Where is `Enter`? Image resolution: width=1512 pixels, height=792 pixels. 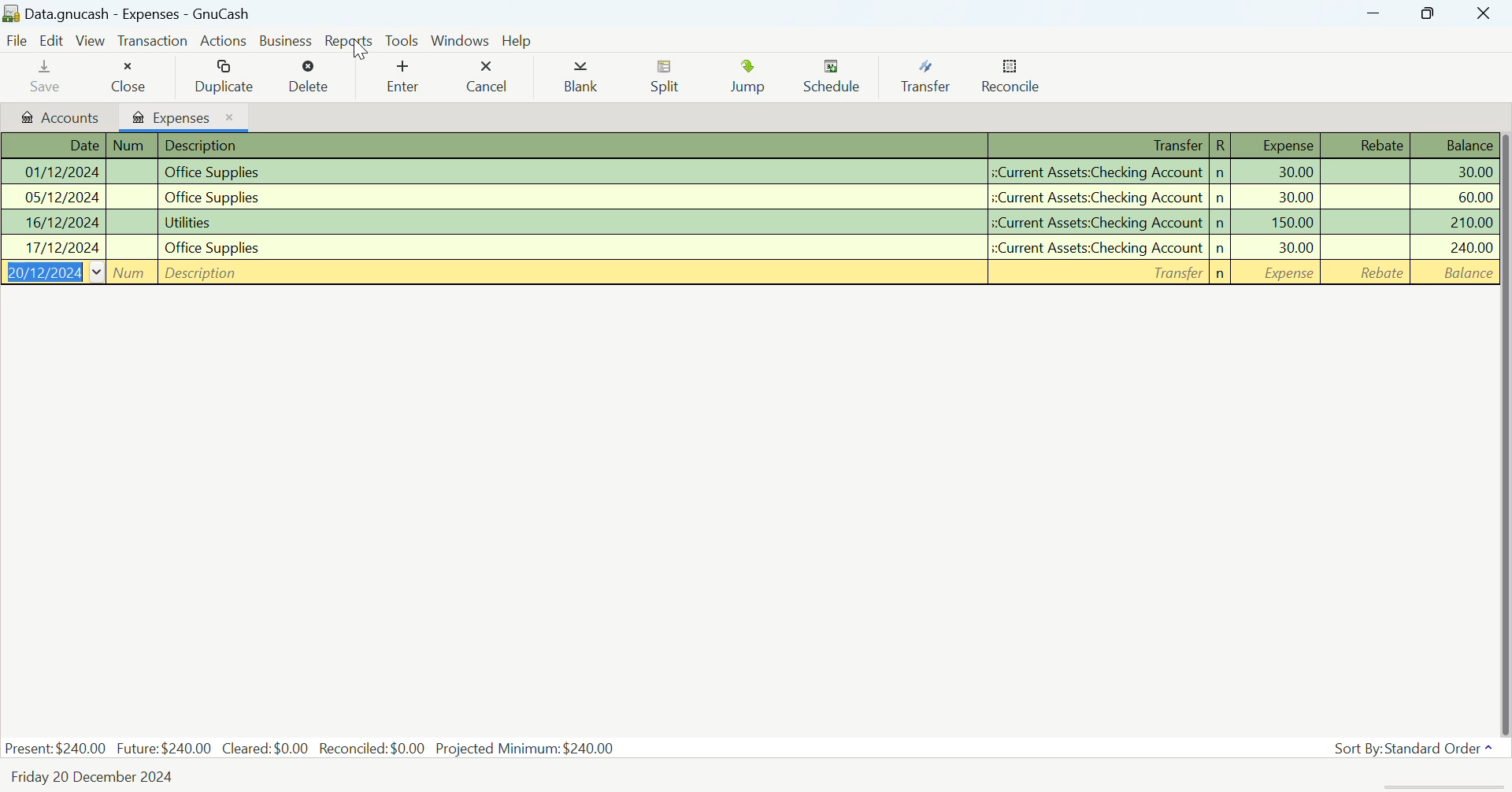 Enter is located at coordinates (402, 77).